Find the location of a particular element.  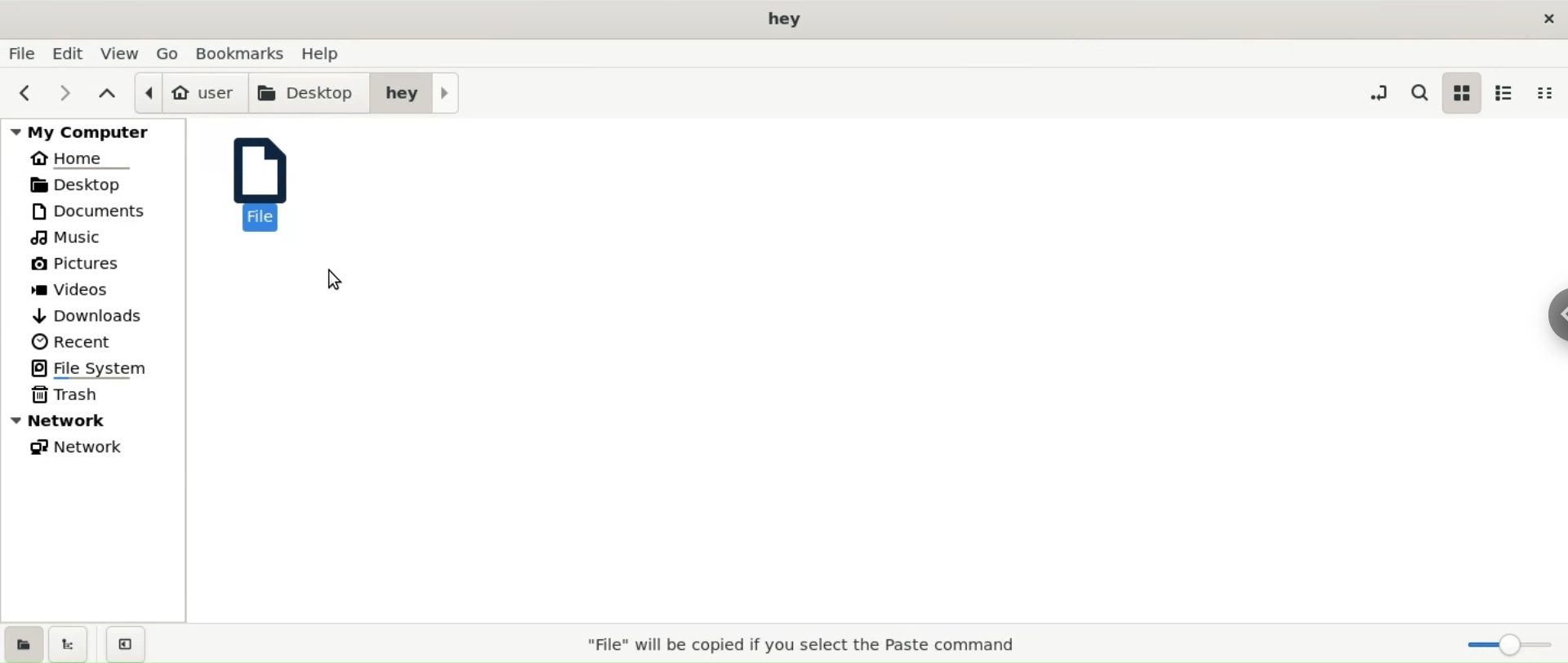

icon view is located at coordinates (1461, 93).